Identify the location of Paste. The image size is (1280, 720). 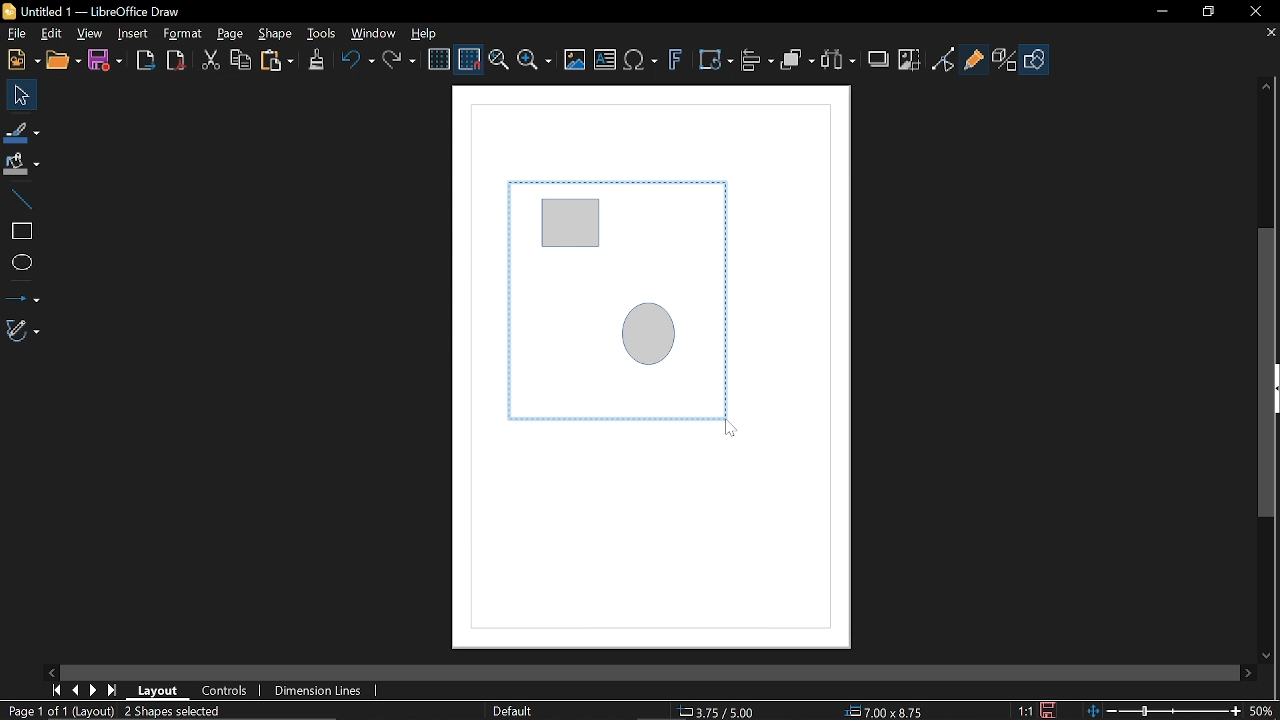
(277, 61).